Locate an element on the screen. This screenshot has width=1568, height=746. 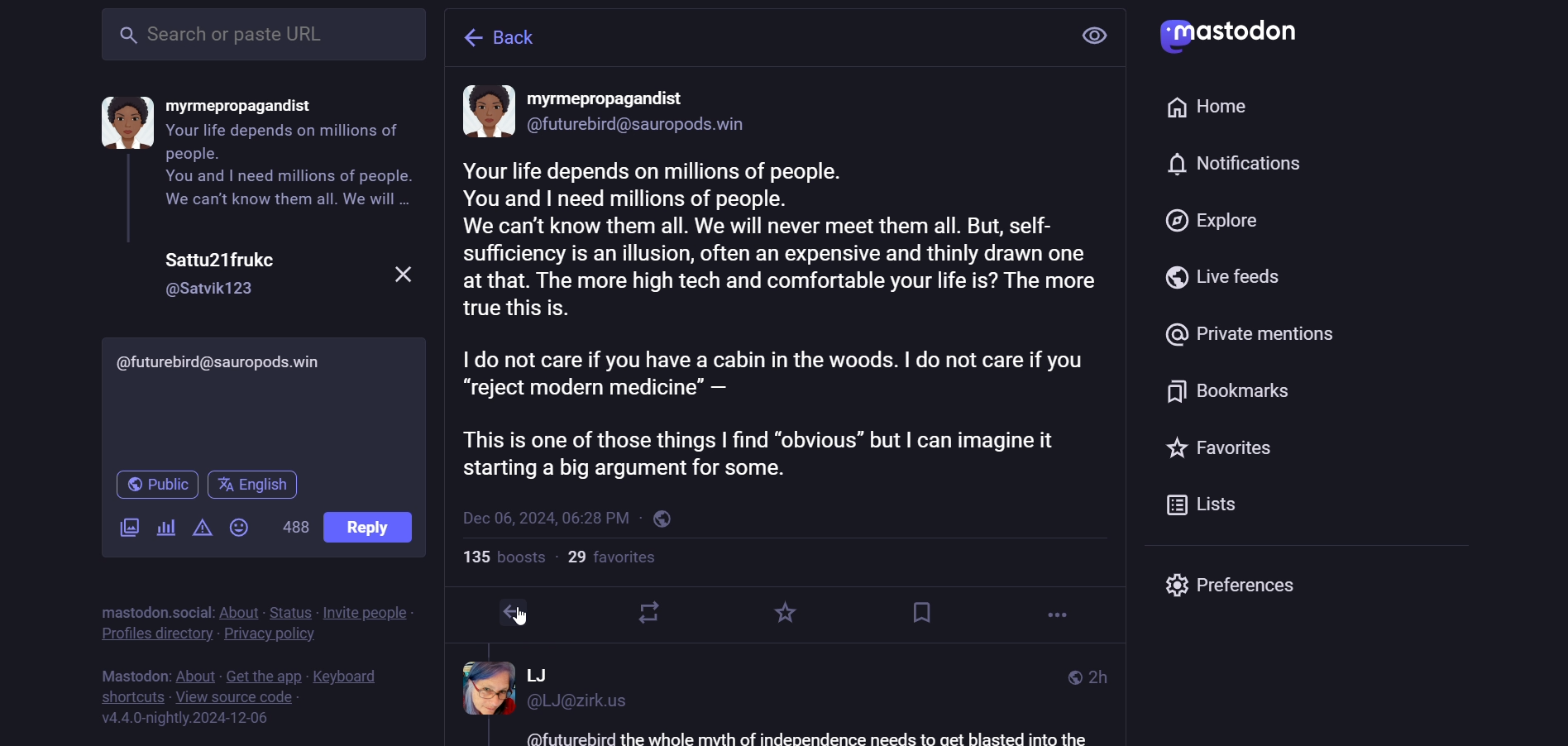
close is located at coordinates (405, 273).